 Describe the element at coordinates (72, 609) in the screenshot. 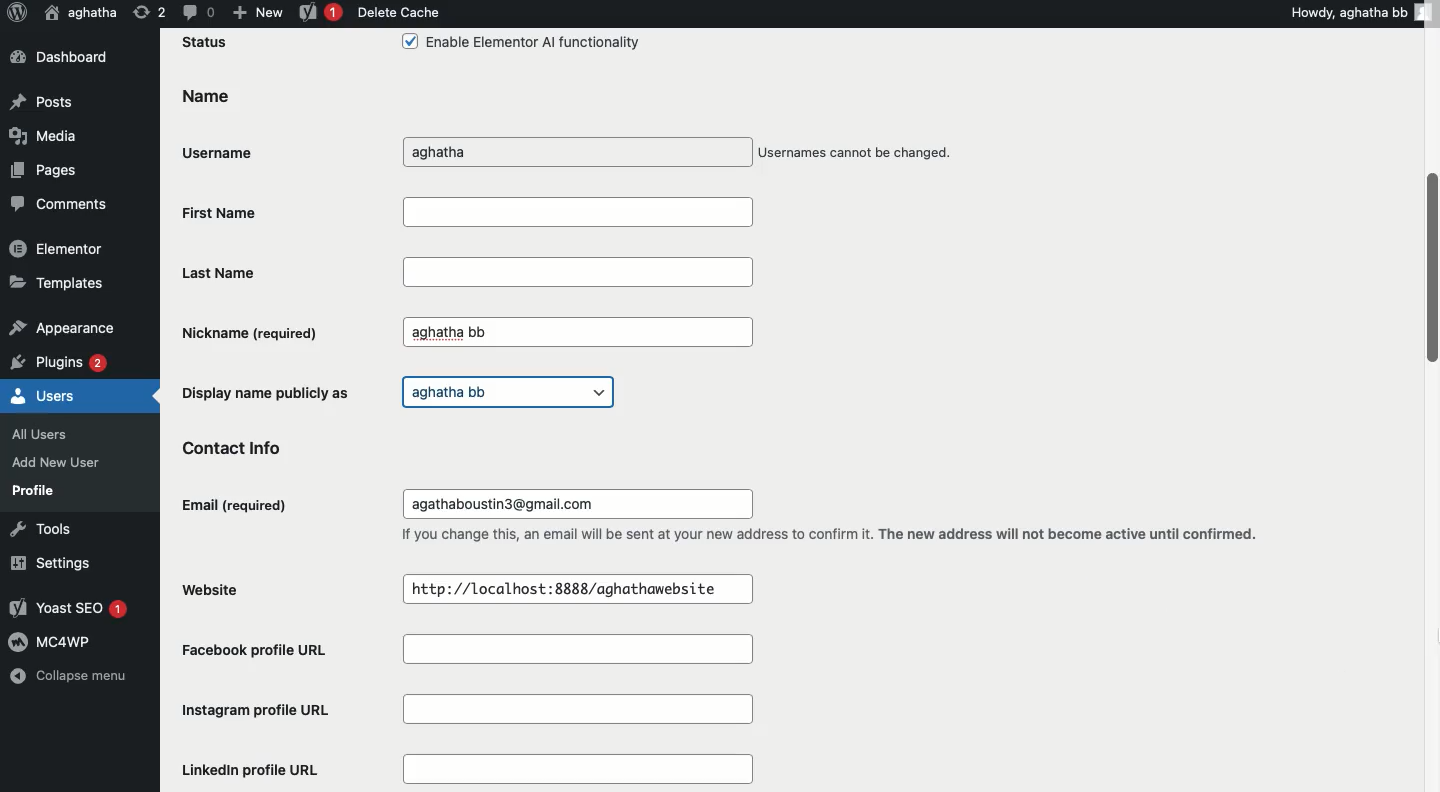

I see `Yoast SEO 1` at that location.